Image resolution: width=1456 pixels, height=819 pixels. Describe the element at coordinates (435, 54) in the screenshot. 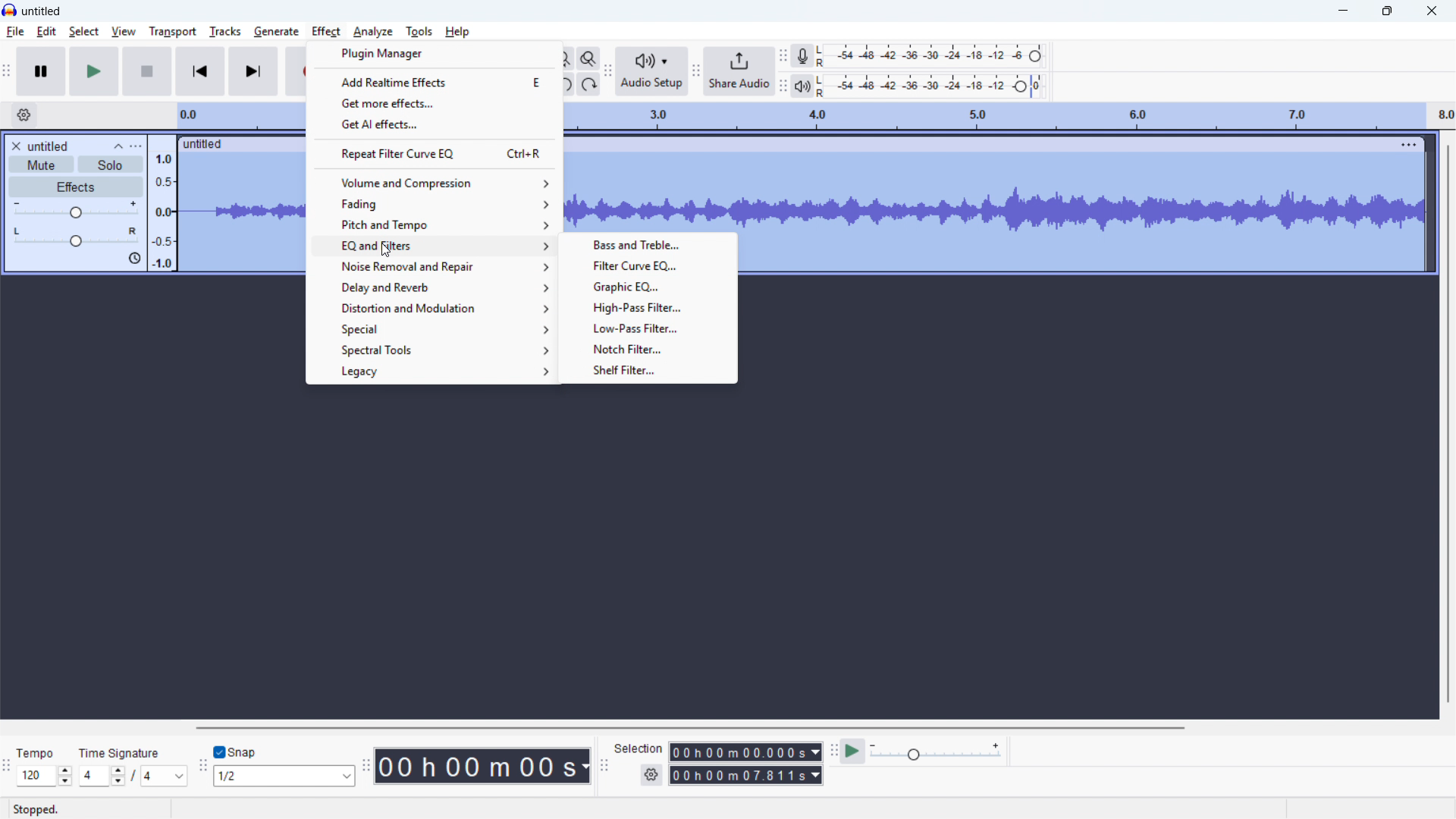

I see `Plug in manager ` at that location.